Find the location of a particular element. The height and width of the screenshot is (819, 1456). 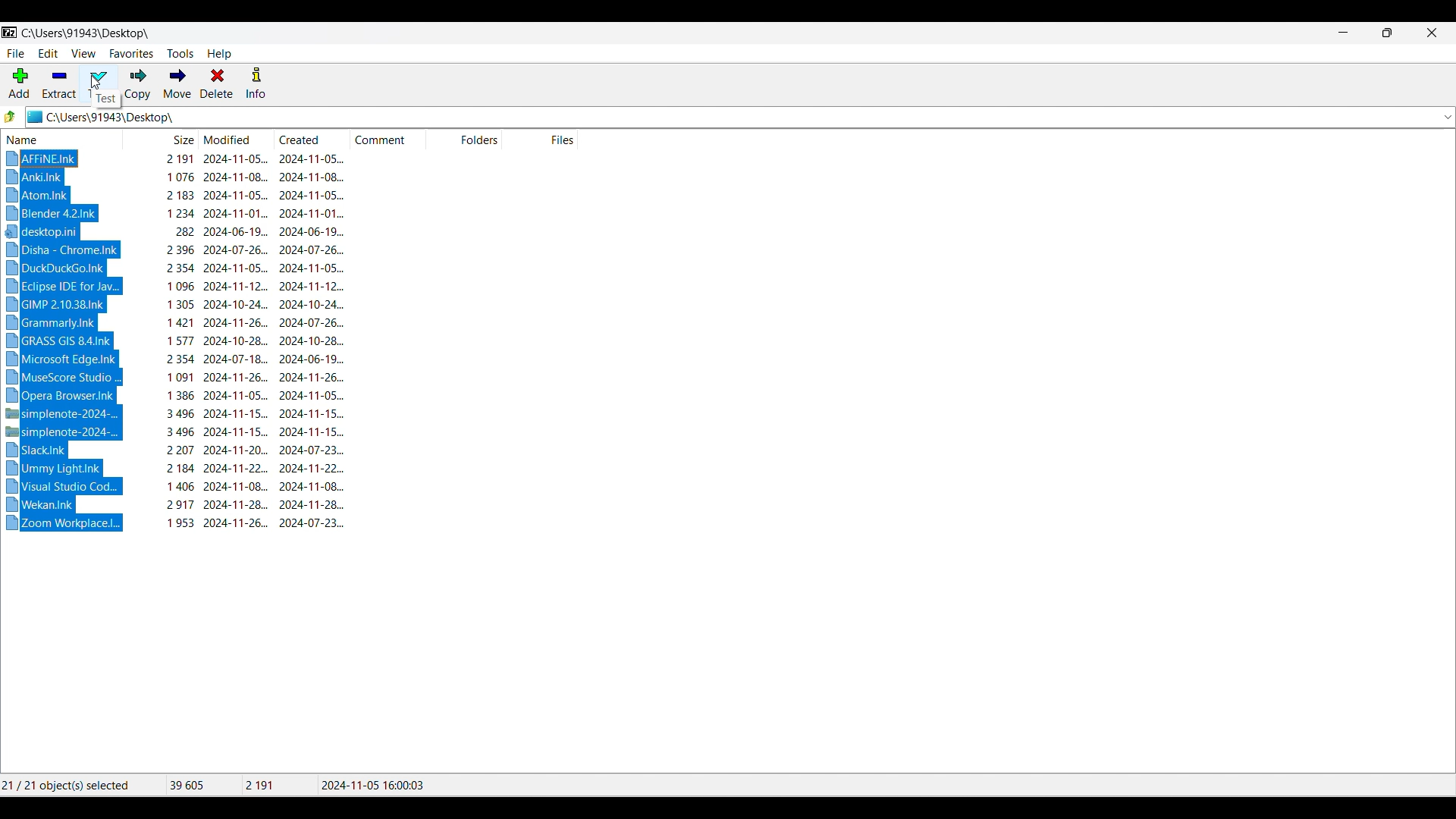

Cursor position unchanged is located at coordinates (95, 83).